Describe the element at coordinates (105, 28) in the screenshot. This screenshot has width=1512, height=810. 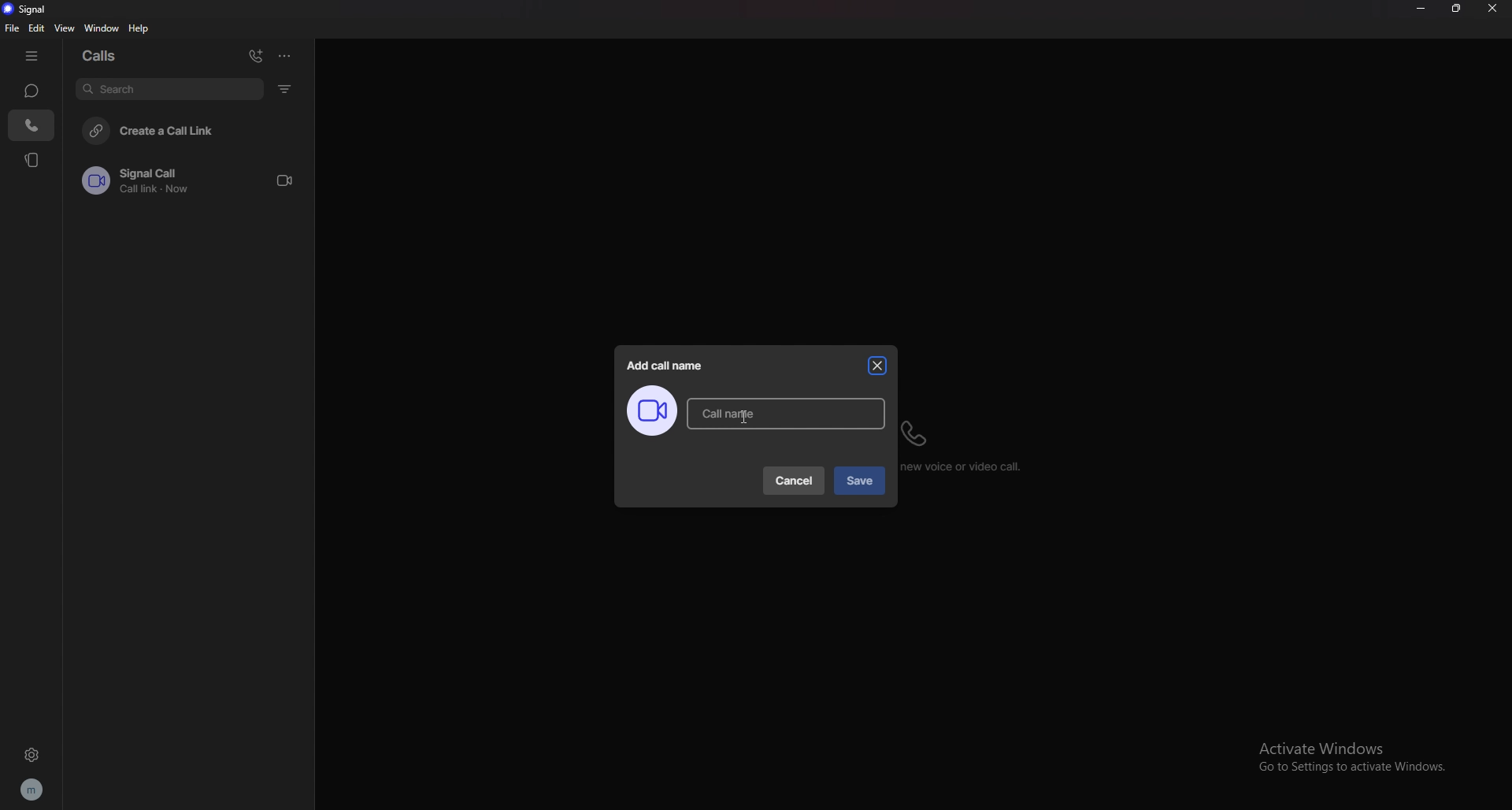
I see `window` at that location.